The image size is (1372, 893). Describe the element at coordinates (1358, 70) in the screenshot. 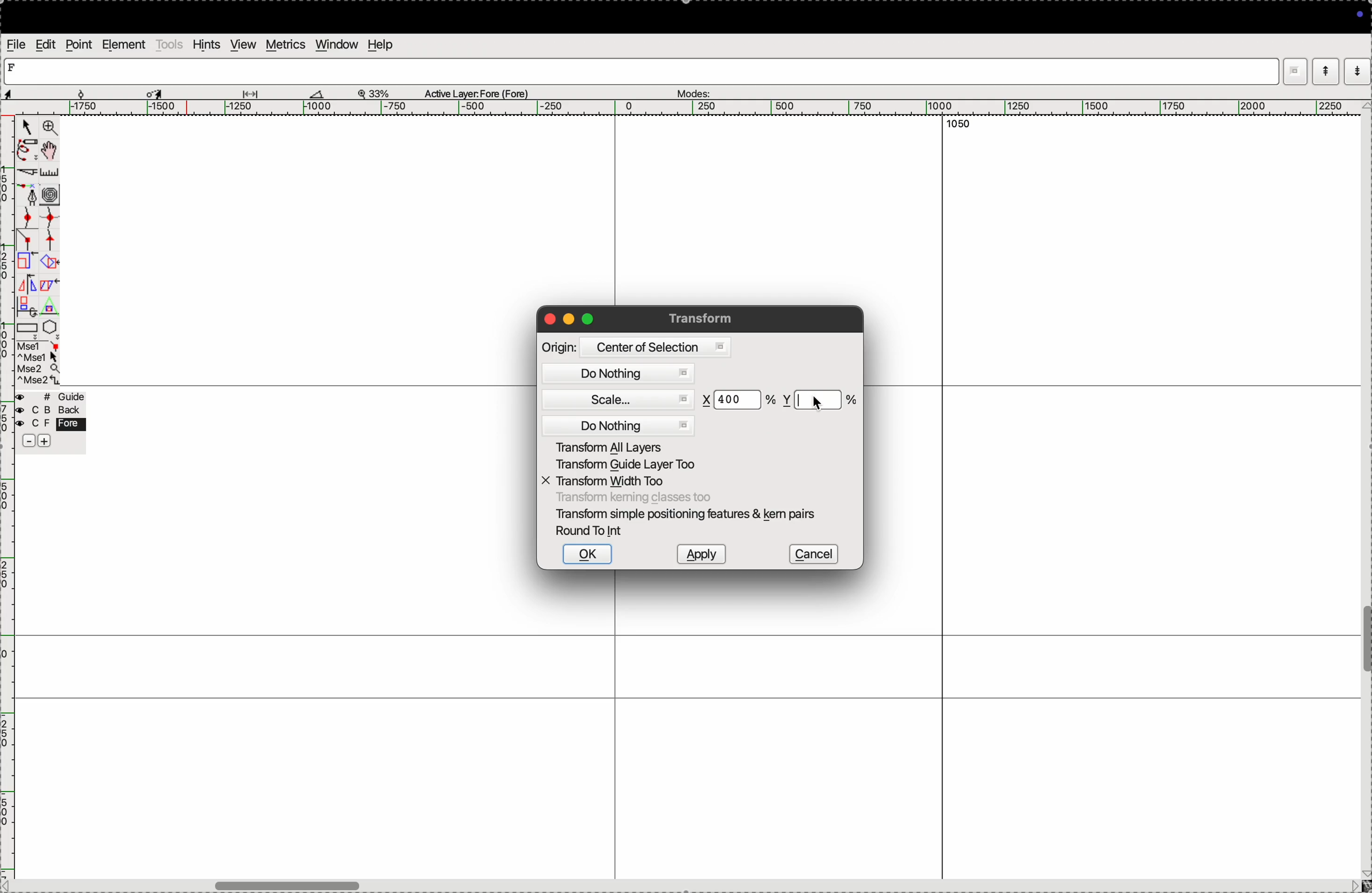

I see `mode down` at that location.